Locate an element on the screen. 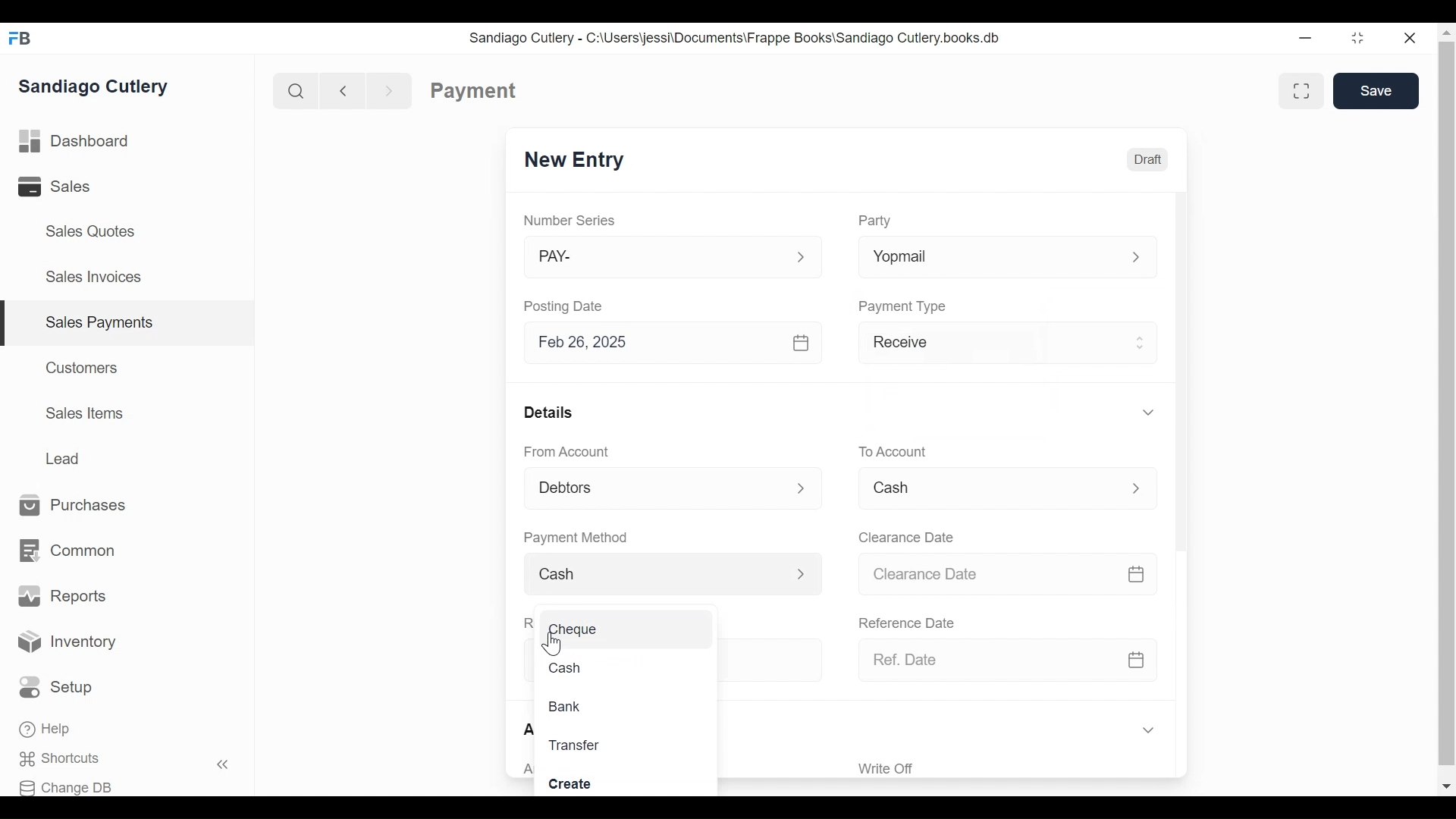  Scroll up is located at coordinates (1447, 33).